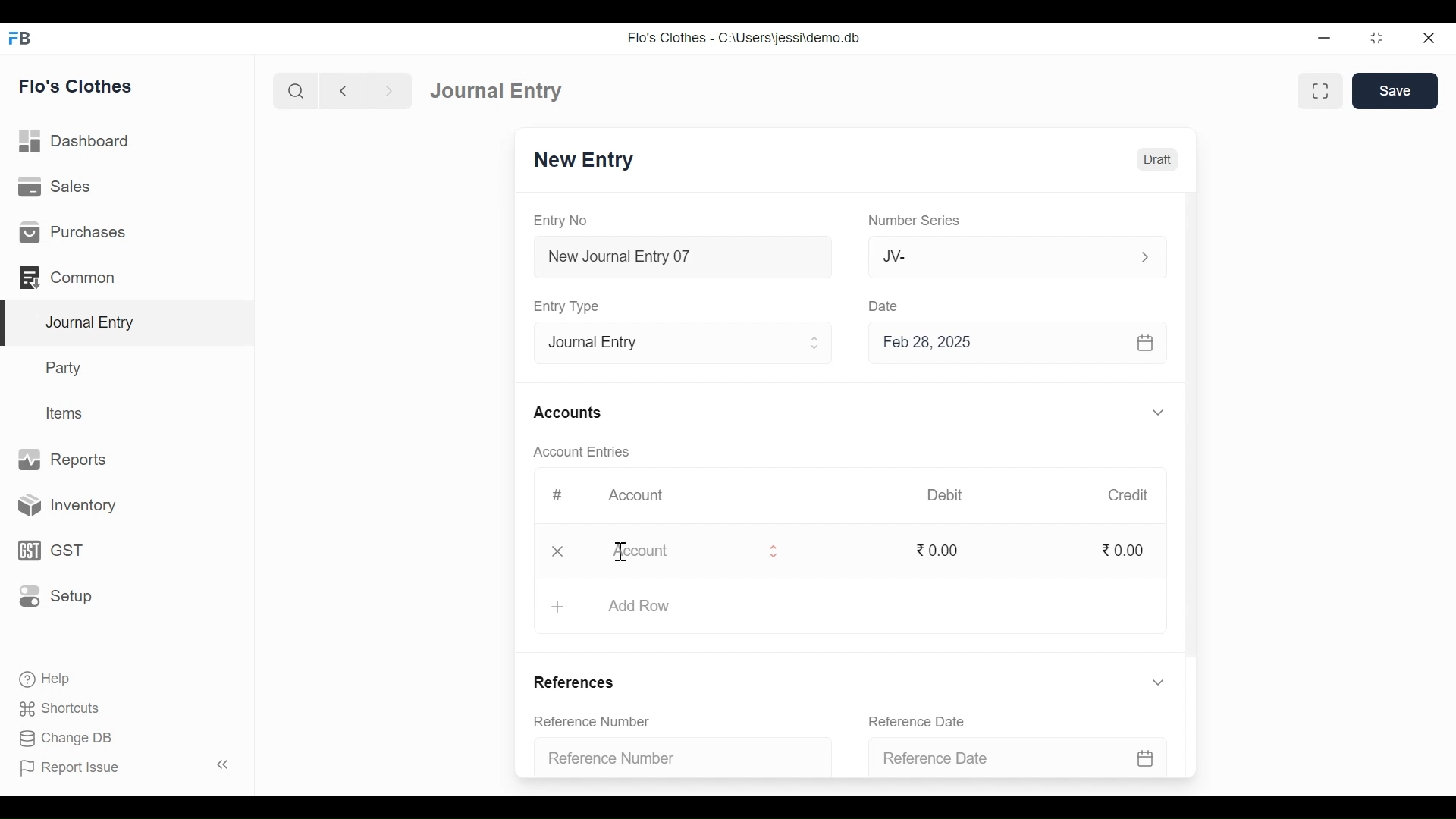  What do you see at coordinates (67, 413) in the screenshot?
I see `Items` at bounding box center [67, 413].